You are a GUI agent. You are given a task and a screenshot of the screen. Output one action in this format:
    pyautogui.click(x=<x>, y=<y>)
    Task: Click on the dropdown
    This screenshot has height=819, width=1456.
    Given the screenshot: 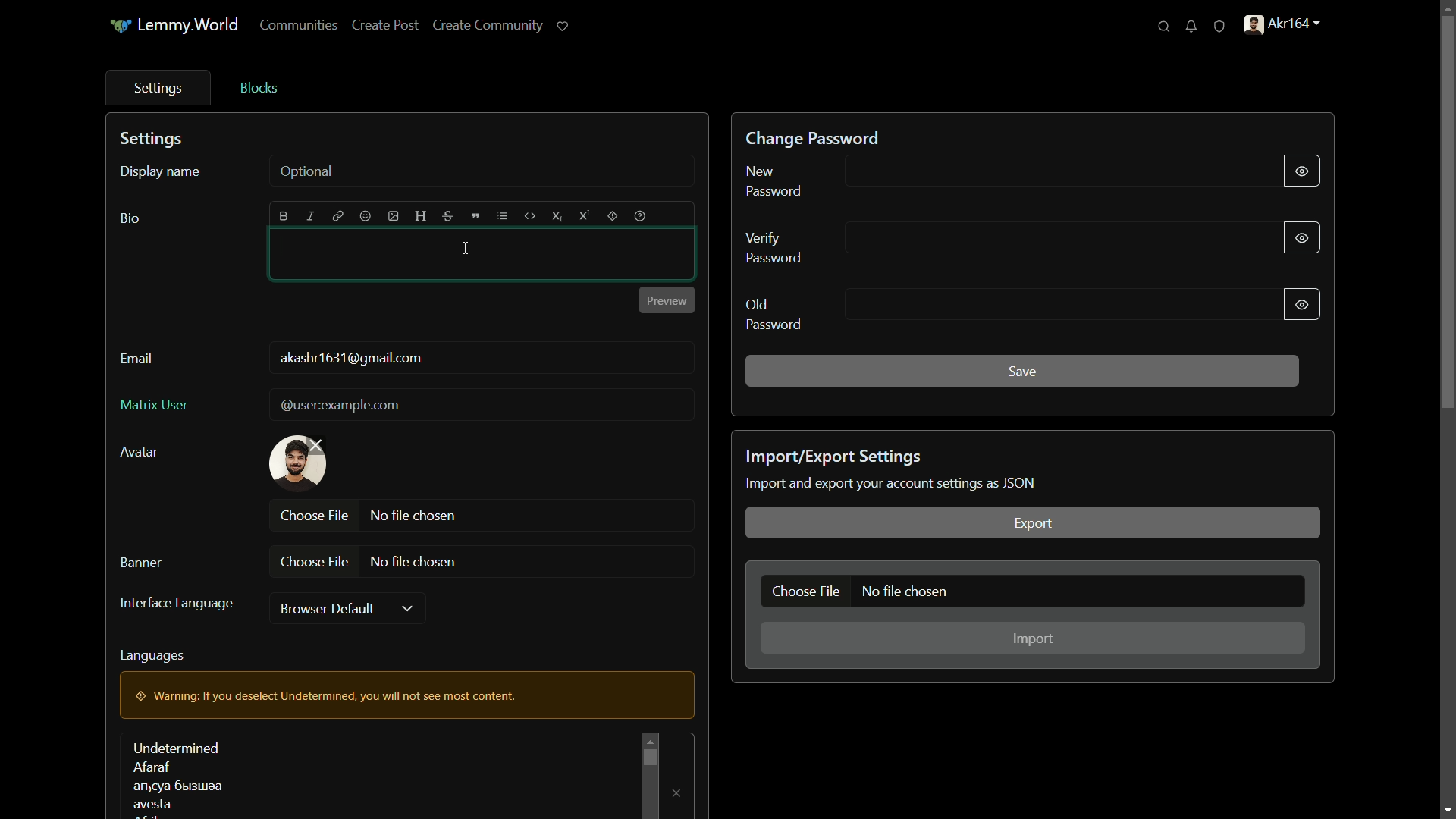 What is the action you would take?
    pyautogui.click(x=407, y=610)
    